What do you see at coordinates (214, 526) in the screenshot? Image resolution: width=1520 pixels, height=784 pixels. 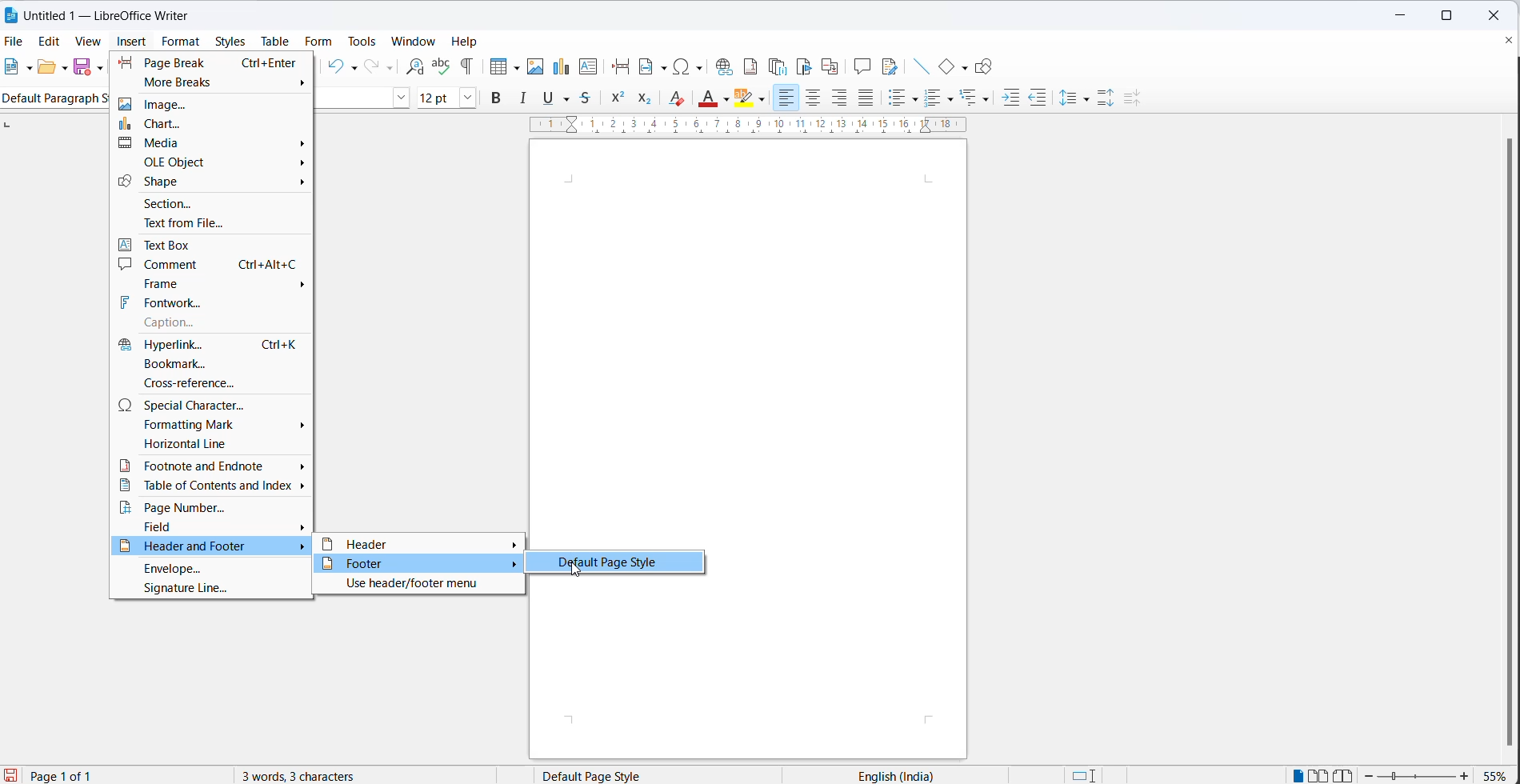 I see `field` at bounding box center [214, 526].